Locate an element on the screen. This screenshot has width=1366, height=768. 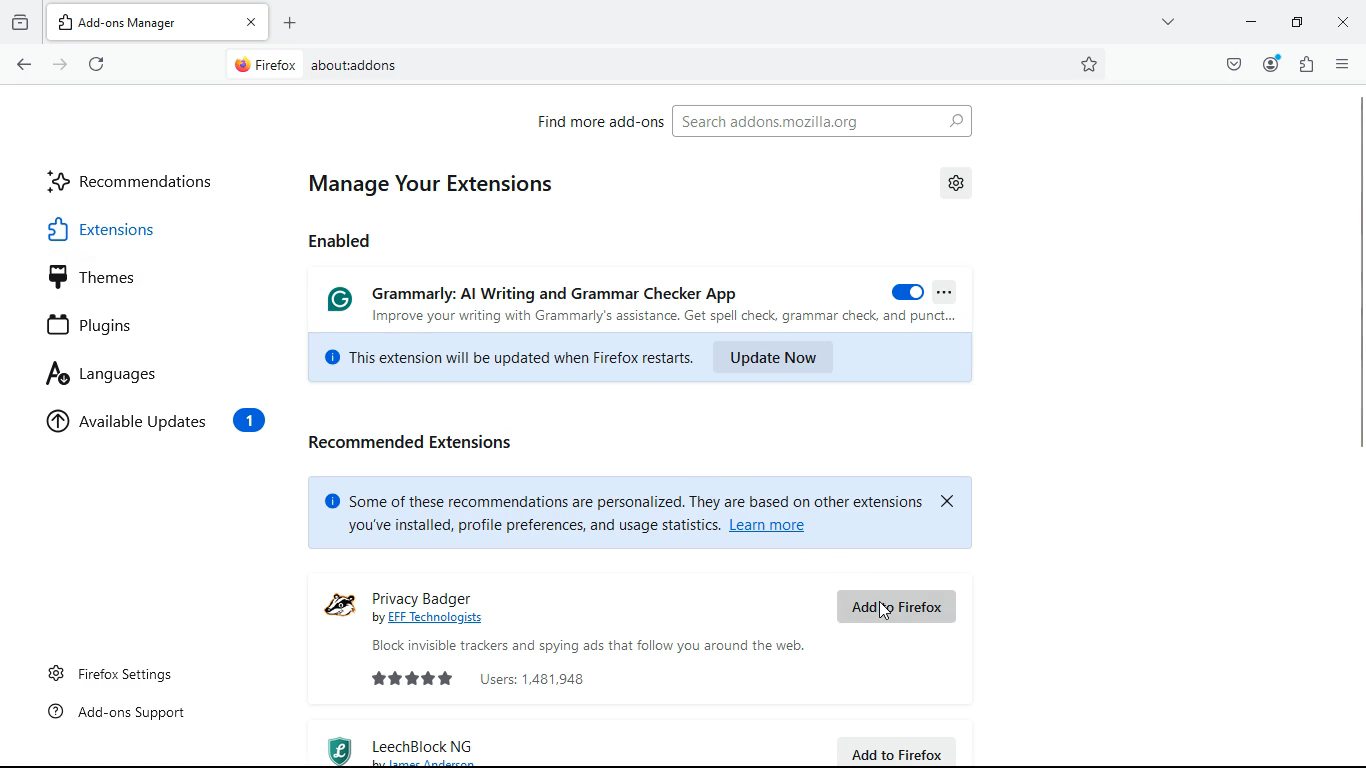
add to firefox is located at coordinates (902, 609).